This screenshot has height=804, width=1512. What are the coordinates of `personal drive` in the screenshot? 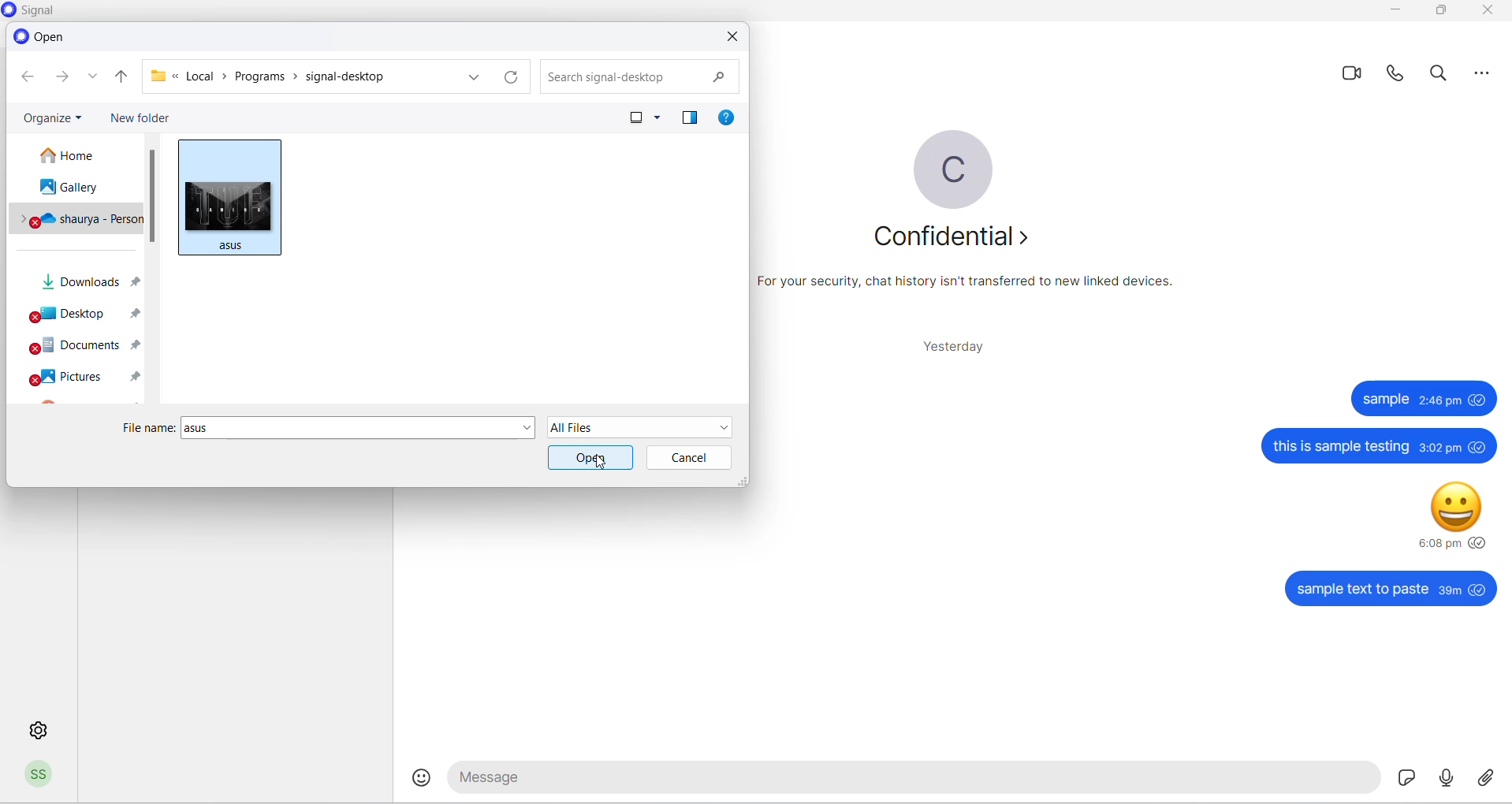 It's located at (78, 220).